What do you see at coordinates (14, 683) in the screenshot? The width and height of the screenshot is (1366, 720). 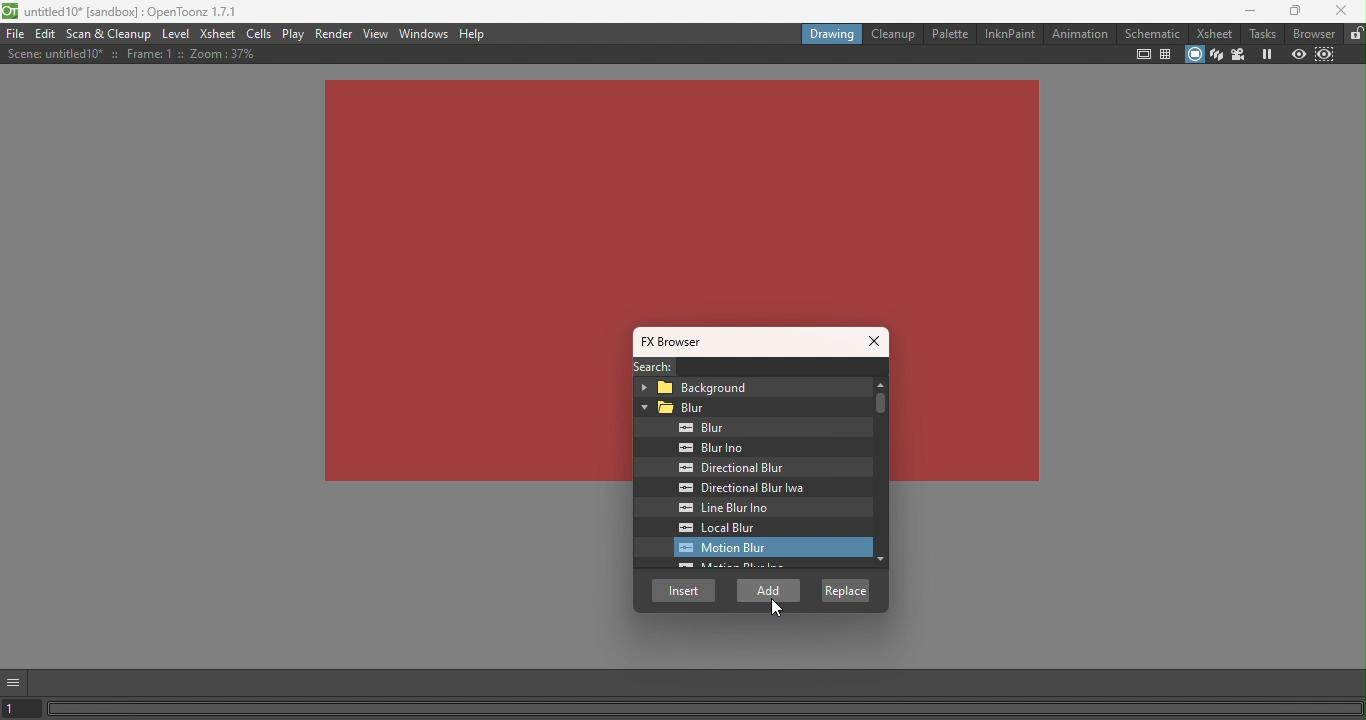 I see `GUI show/hide` at bounding box center [14, 683].